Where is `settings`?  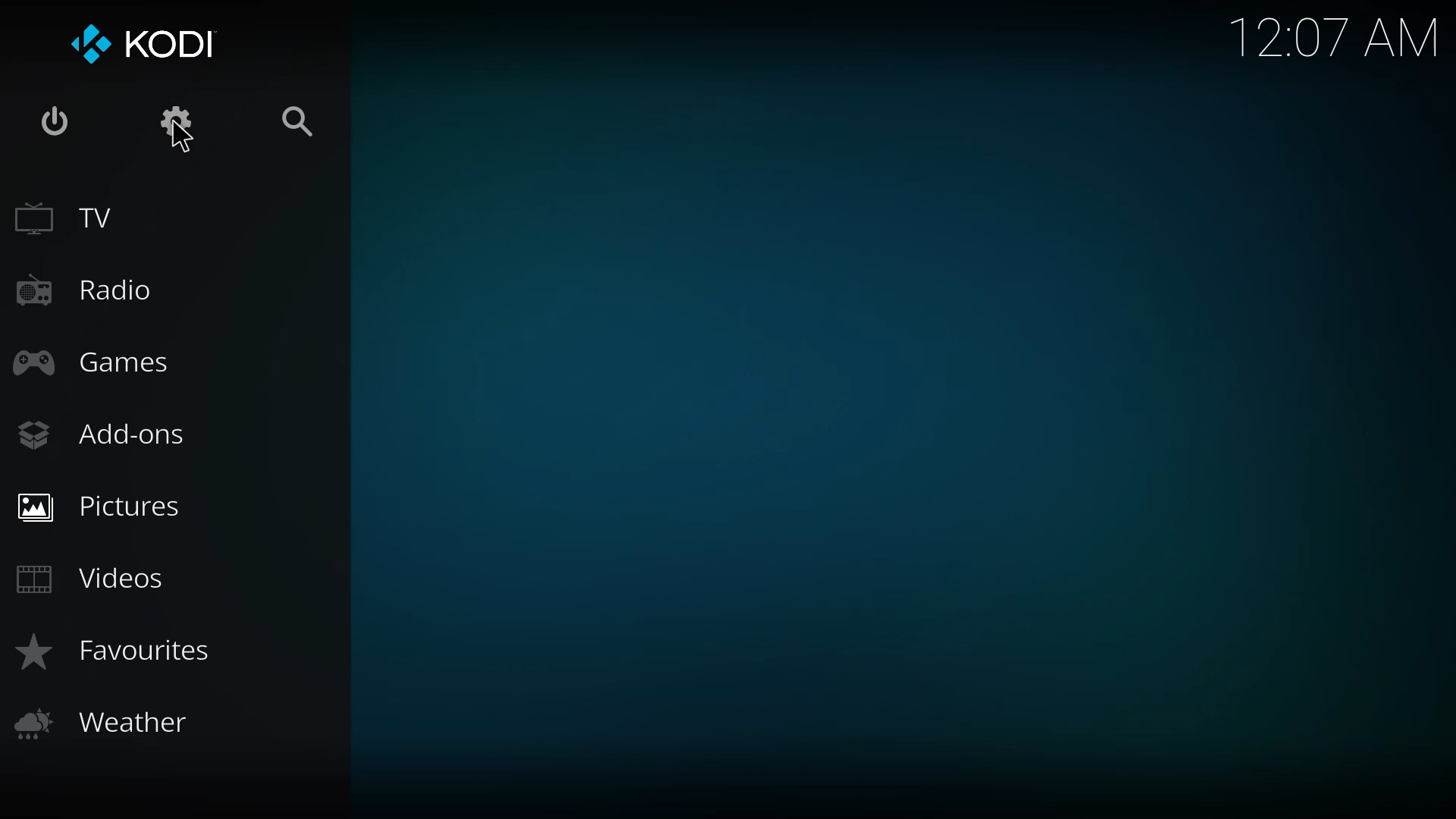
settings is located at coordinates (176, 119).